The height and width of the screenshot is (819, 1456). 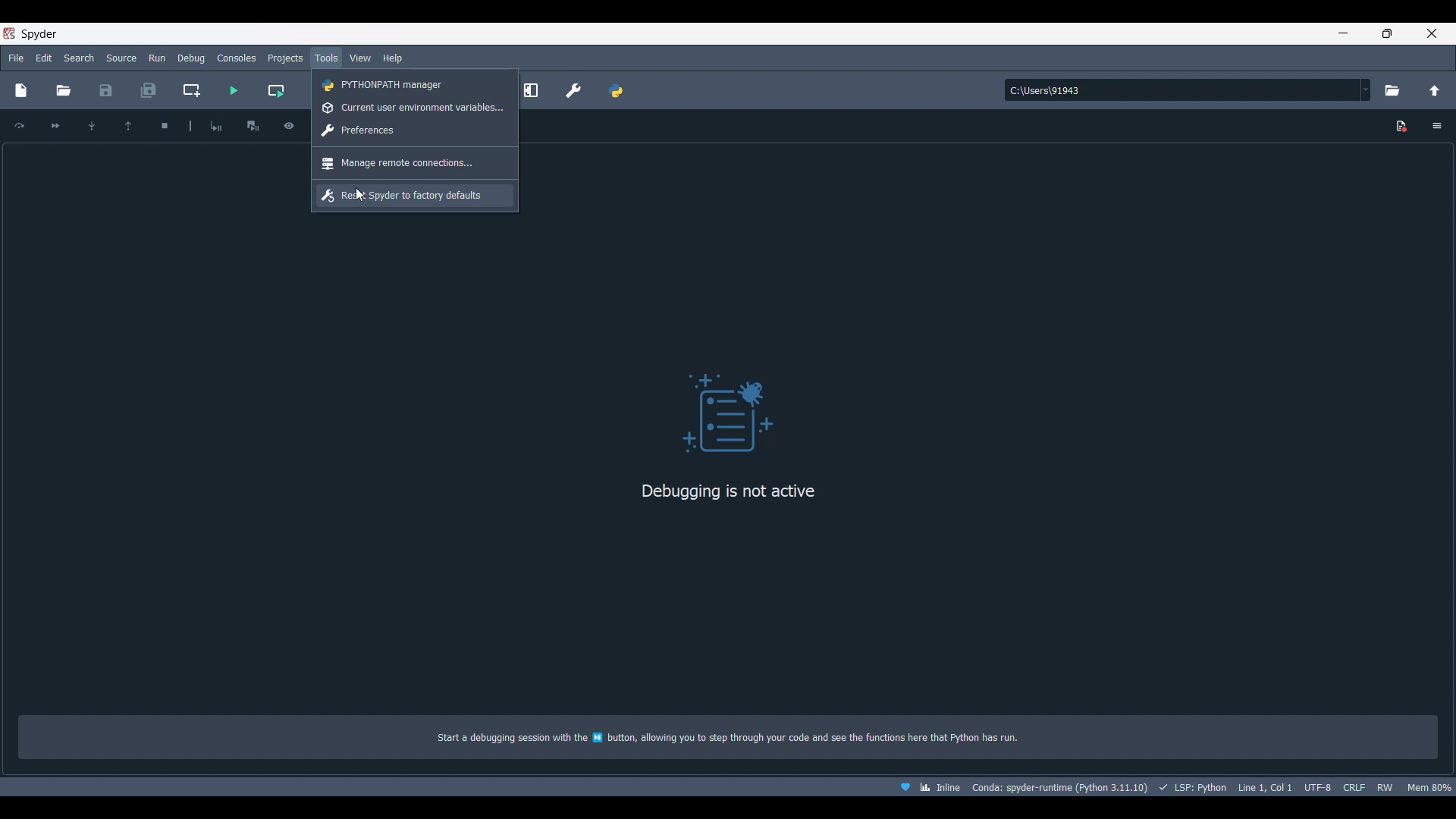 I want to click on Edit menu, so click(x=45, y=58).